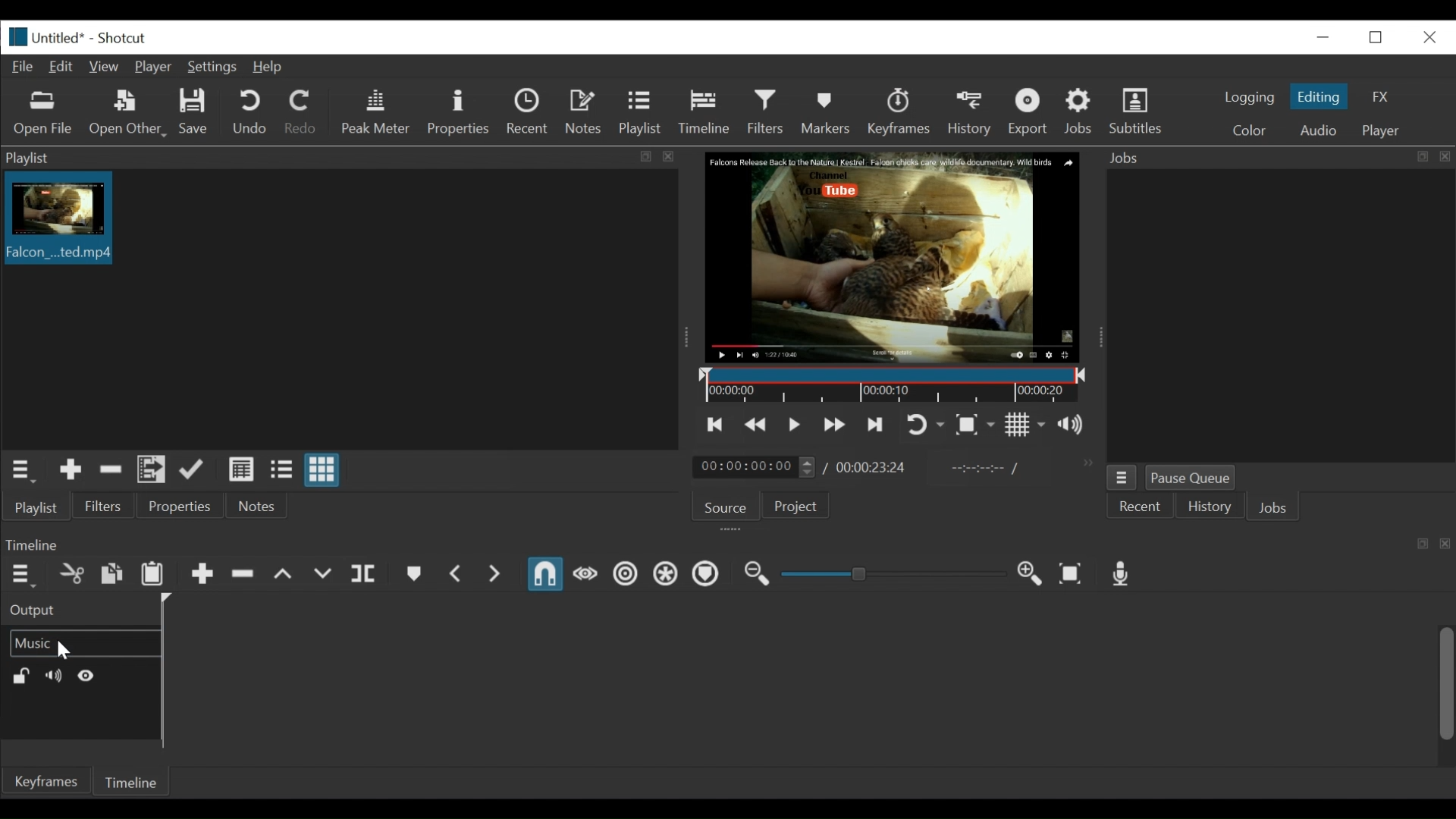 The image size is (1456, 819). Describe the element at coordinates (112, 576) in the screenshot. I see `Copy` at that location.